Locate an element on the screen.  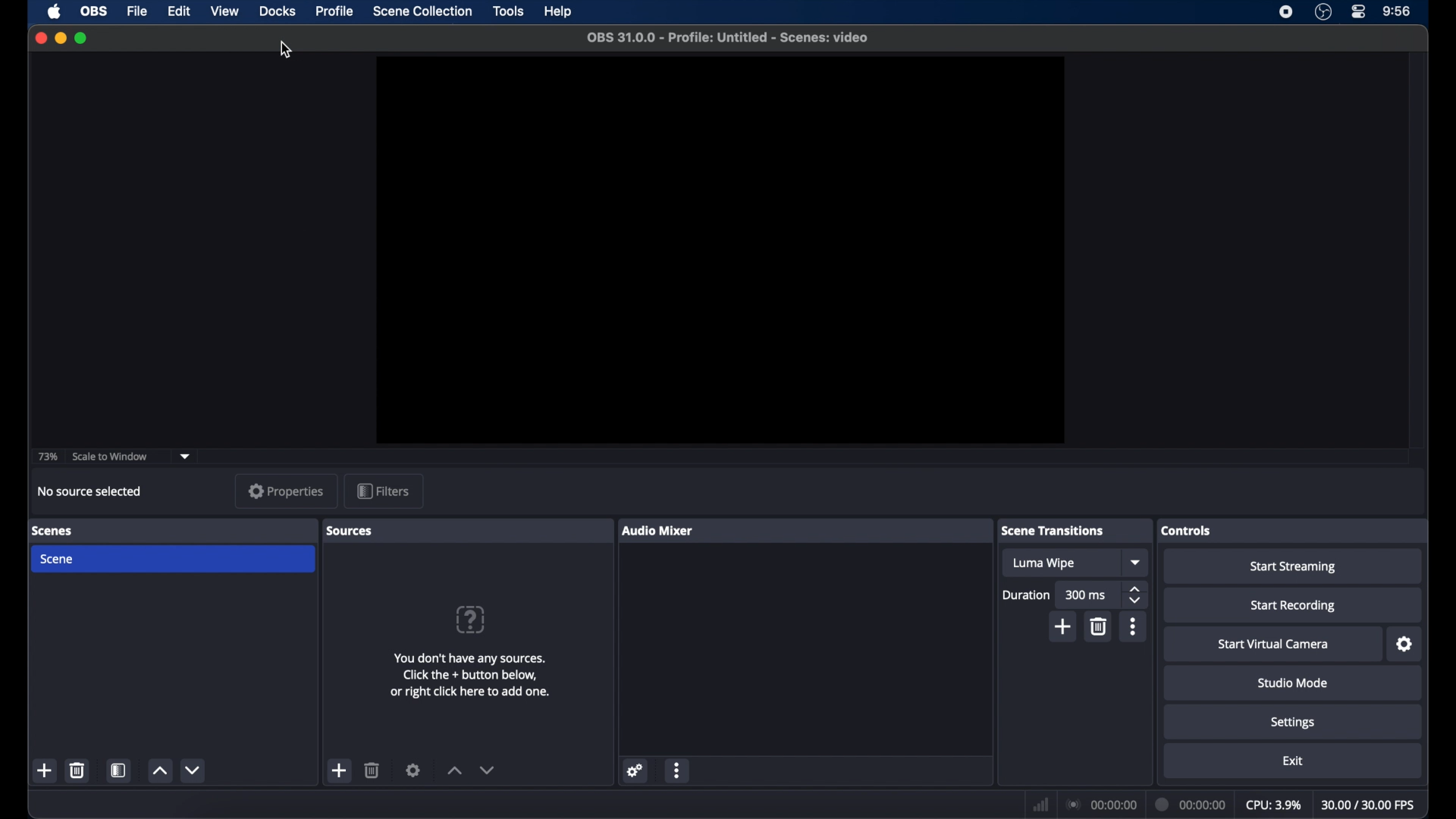
dropdown is located at coordinates (1134, 563).